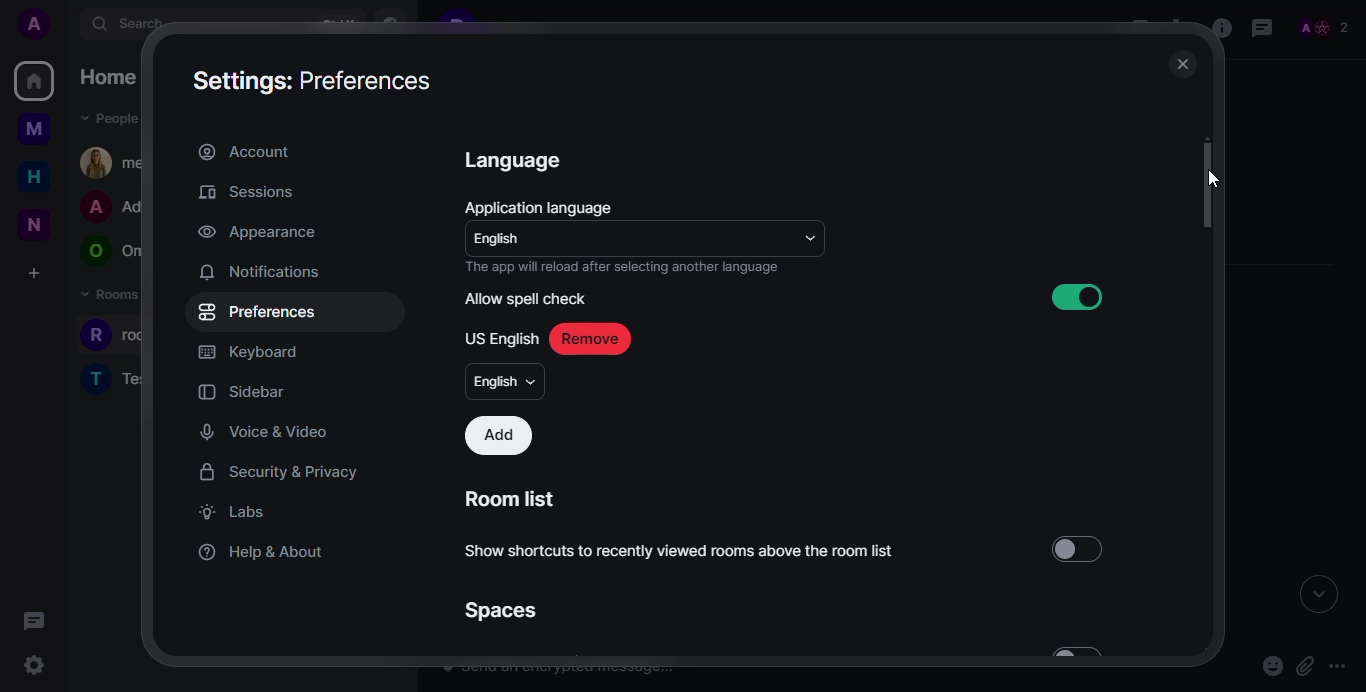 The height and width of the screenshot is (692, 1366). What do you see at coordinates (30, 222) in the screenshot?
I see `new` at bounding box center [30, 222].